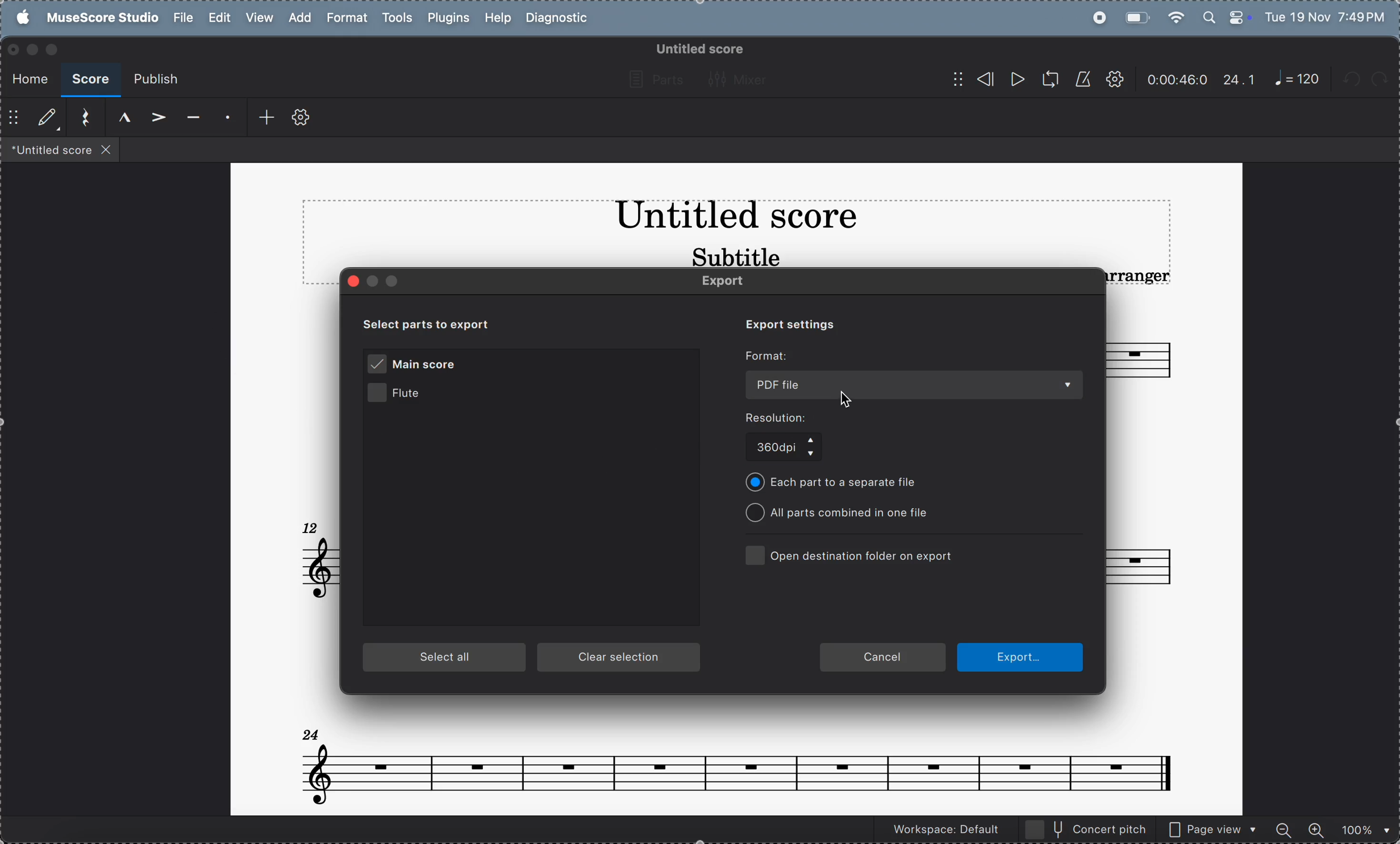 The height and width of the screenshot is (844, 1400). I want to click on PDF file, so click(915, 384).